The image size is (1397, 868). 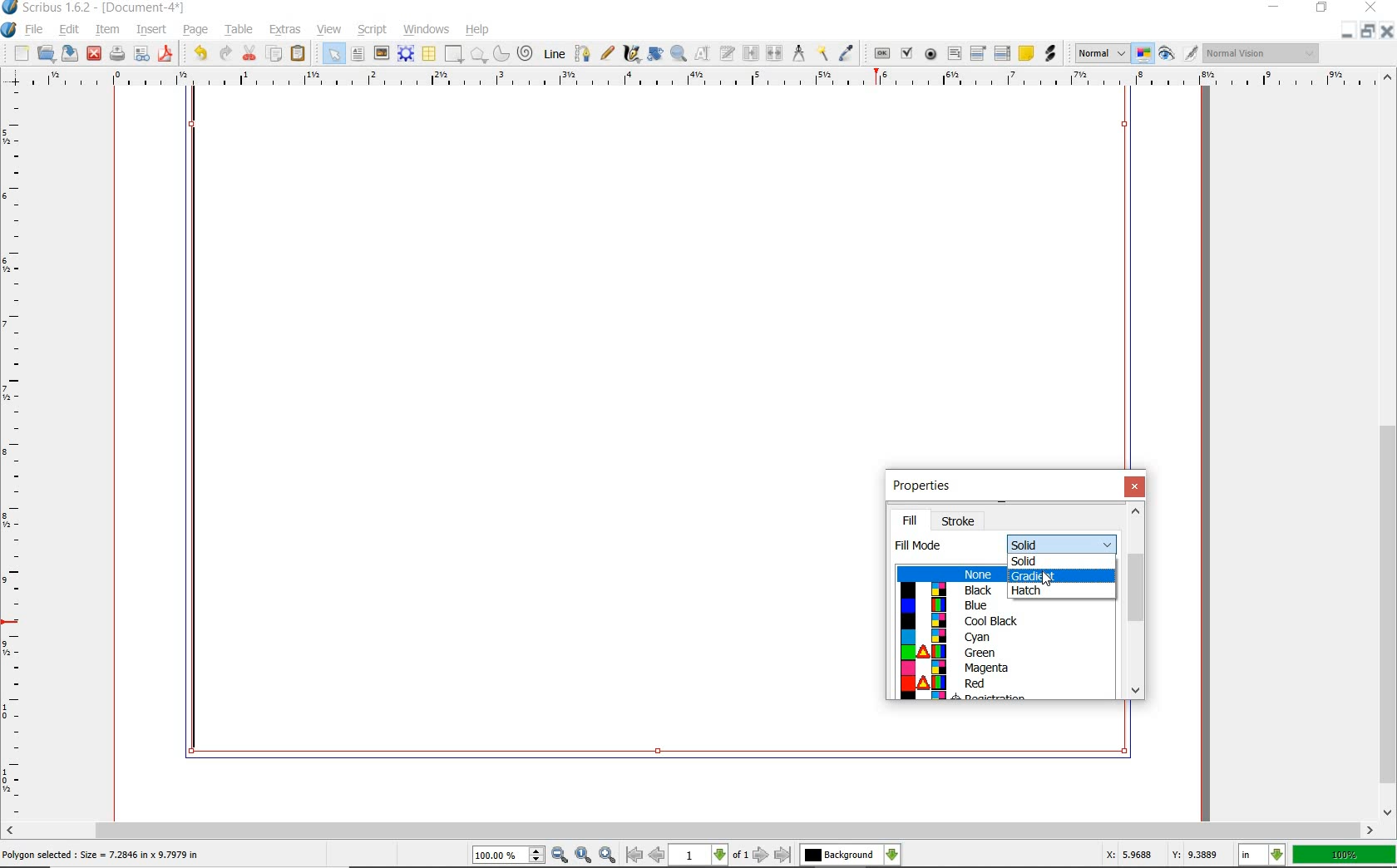 What do you see at coordinates (284, 30) in the screenshot?
I see `extras` at bounding box center [284, 30].